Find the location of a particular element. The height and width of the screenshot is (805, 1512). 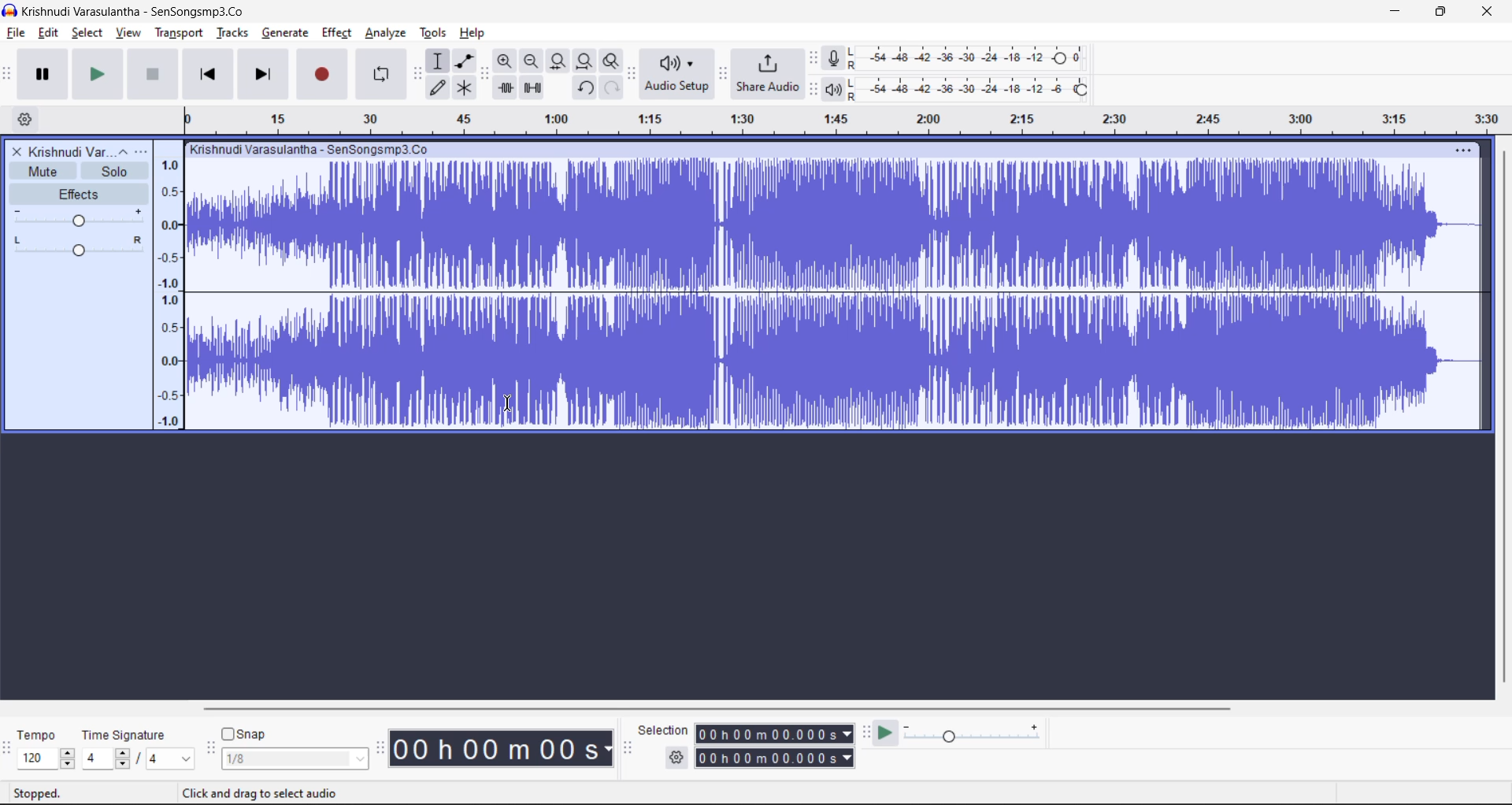

options is located at coordinates (135, 150).